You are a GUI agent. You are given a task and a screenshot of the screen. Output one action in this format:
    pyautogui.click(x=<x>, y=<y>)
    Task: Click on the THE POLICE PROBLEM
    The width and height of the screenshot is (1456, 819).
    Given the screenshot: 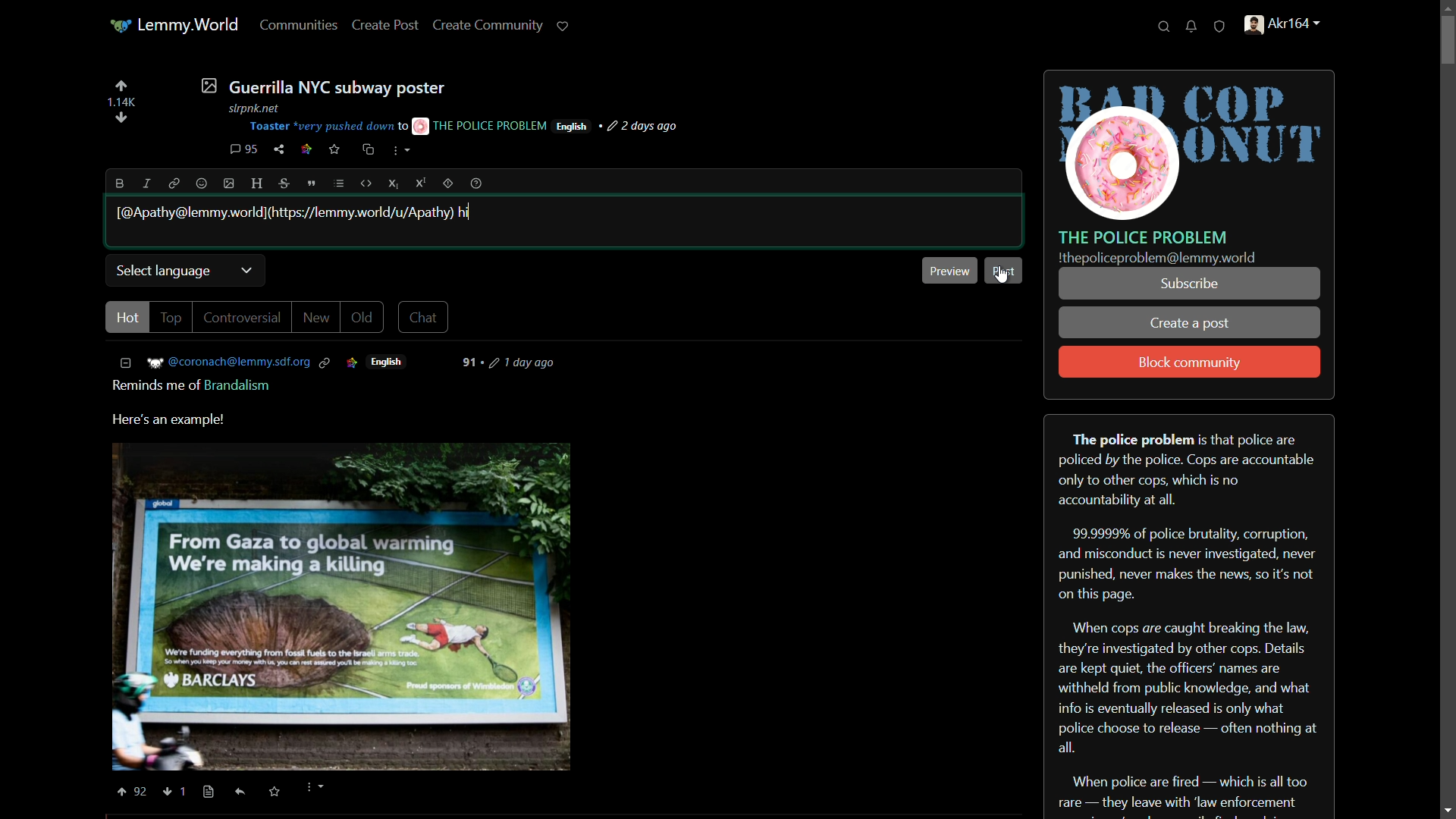 What is the action you would take?
    pyautogui.click(x=481, y=125)
    